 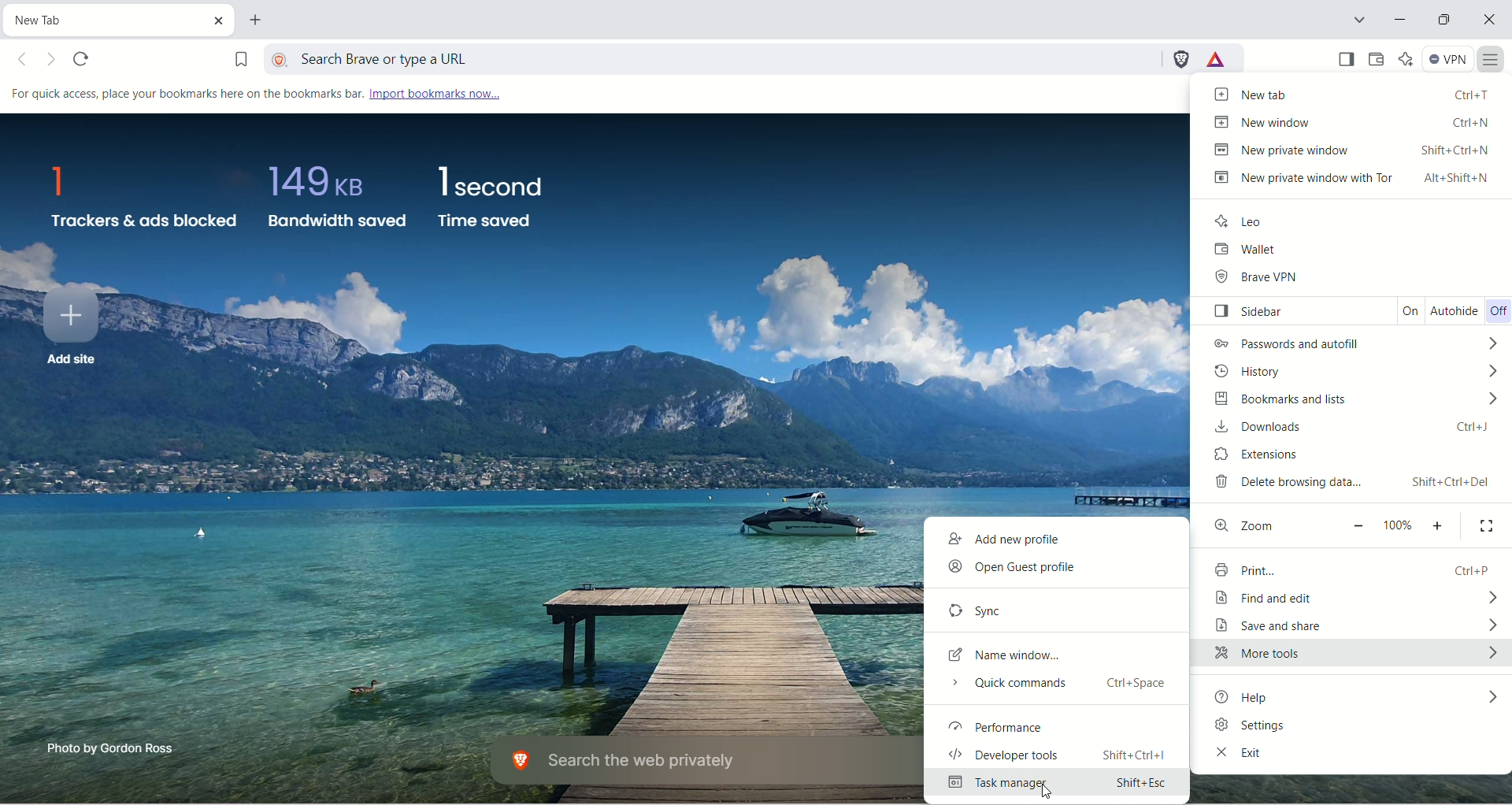 What do you see at coordinates (1217, 58) in the screenshot?
I see `rewards` at bounding box center [1217, 58].